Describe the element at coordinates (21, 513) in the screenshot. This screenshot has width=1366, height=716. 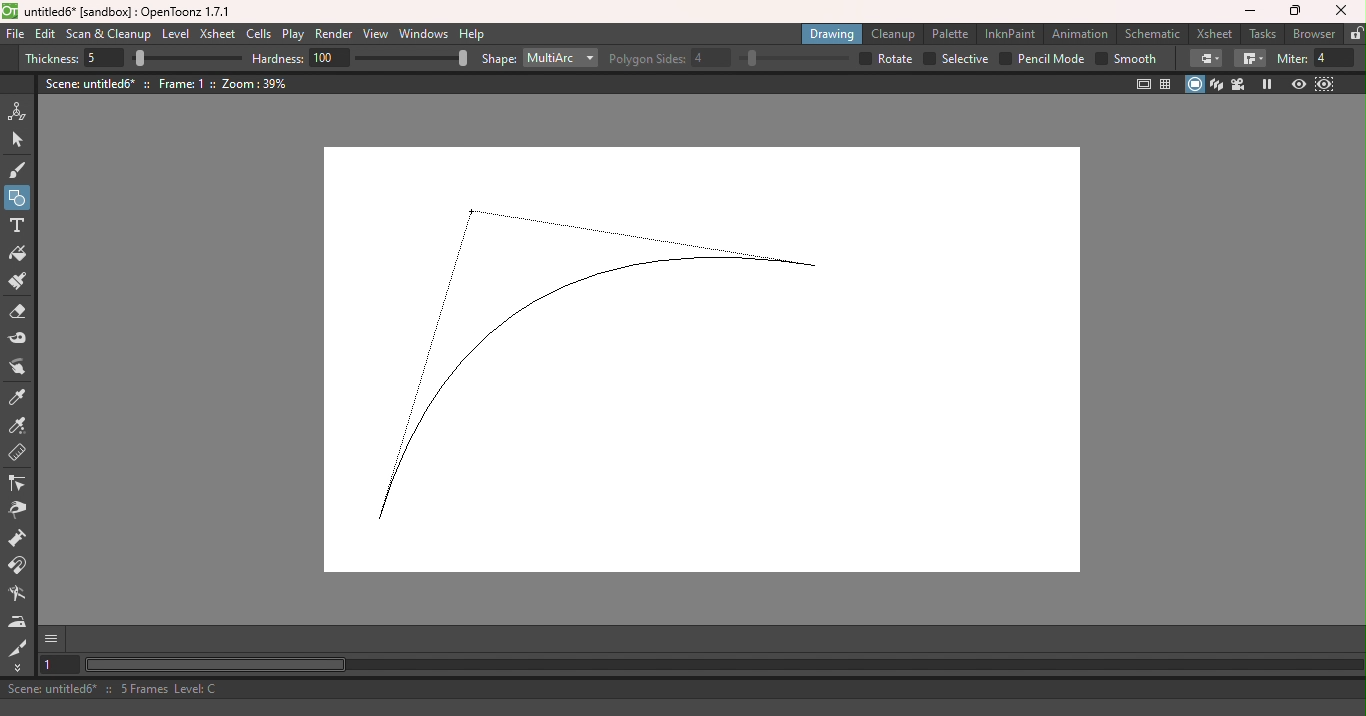
I see `Pinch tool` at that location.